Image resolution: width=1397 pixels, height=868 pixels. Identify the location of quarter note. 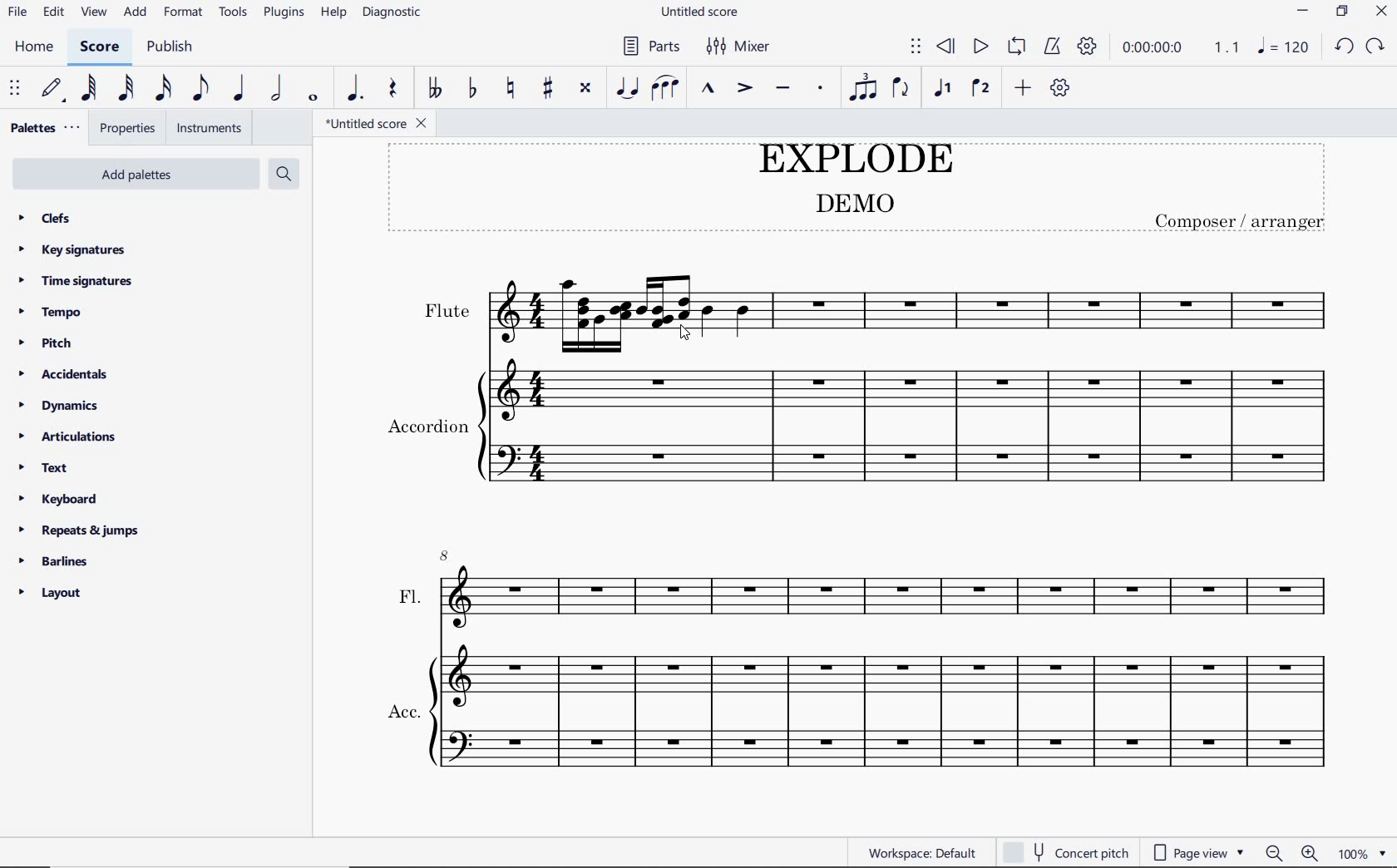
(238, 89).